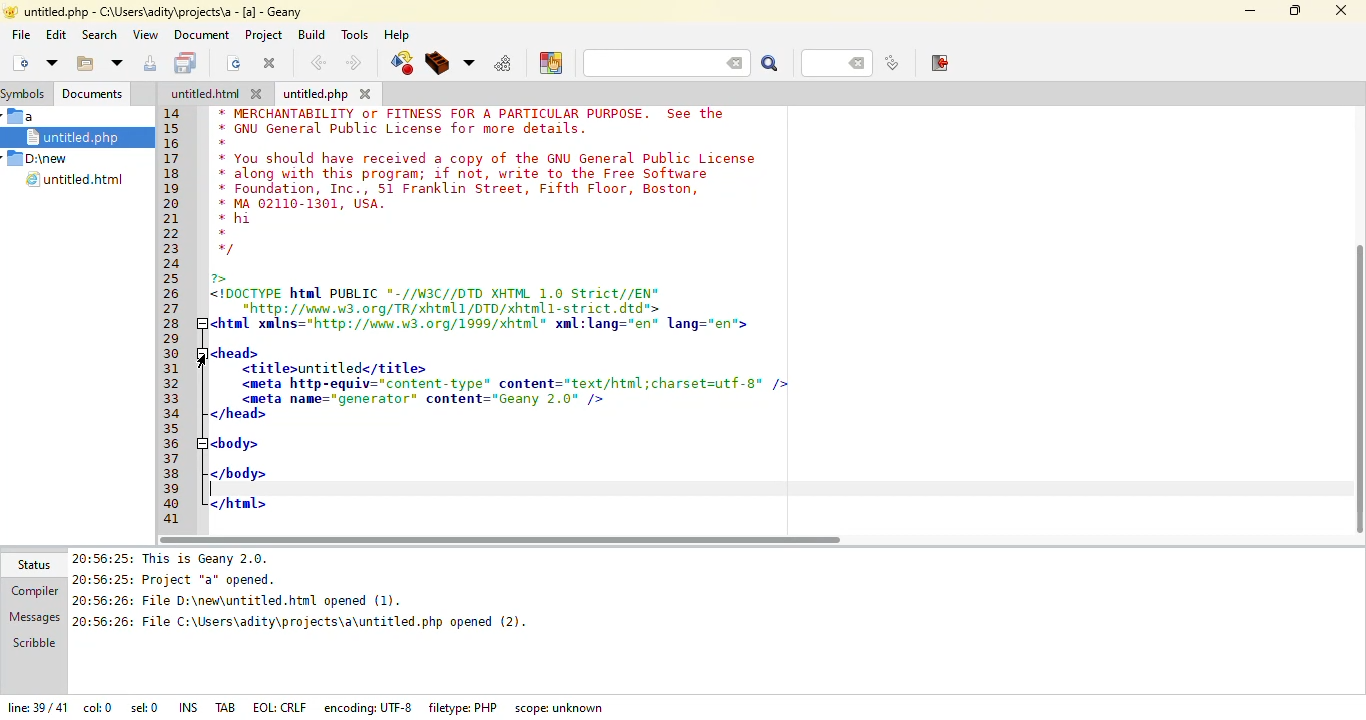 This screenshot has width=1366, height=720. I want to click on D:\new, so click(38, 159).